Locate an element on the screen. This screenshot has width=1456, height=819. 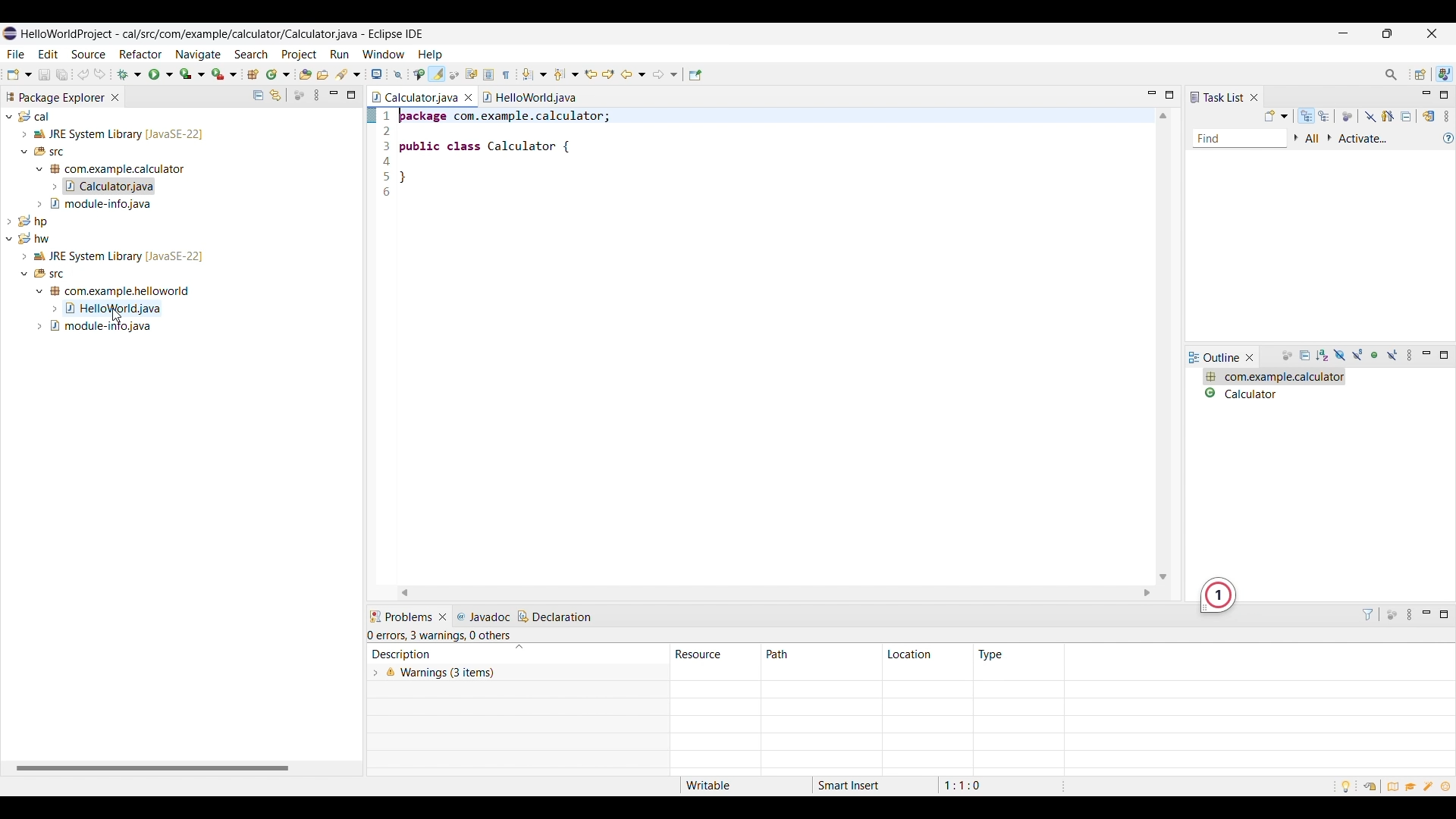
Type is located at coordinates (992, 654).